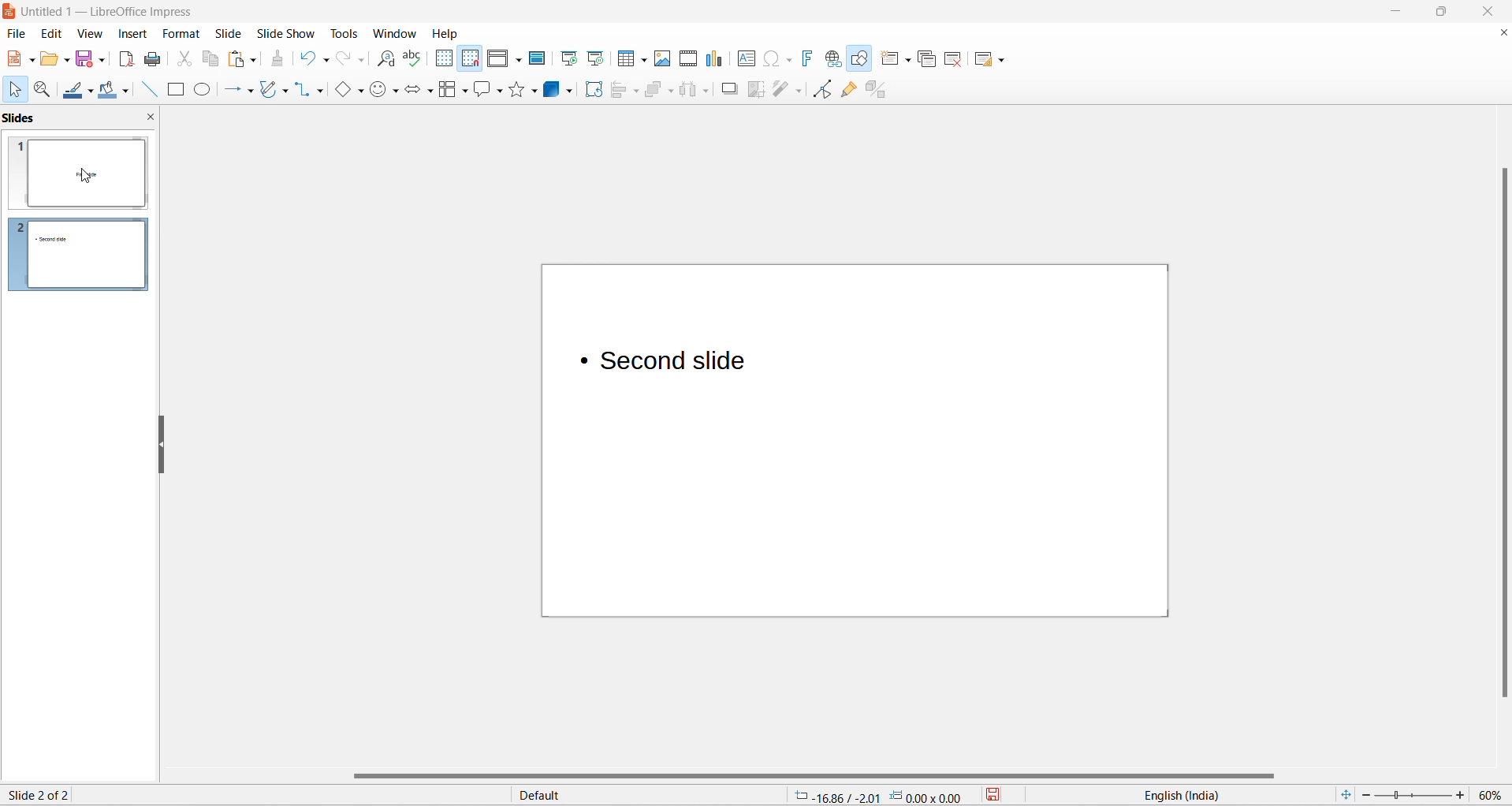 This screenshot has height=806, width=1512. What do you see at coordinates (108, 88) in the screenshot?
I see `fill color` at bounding box center [108, 88].